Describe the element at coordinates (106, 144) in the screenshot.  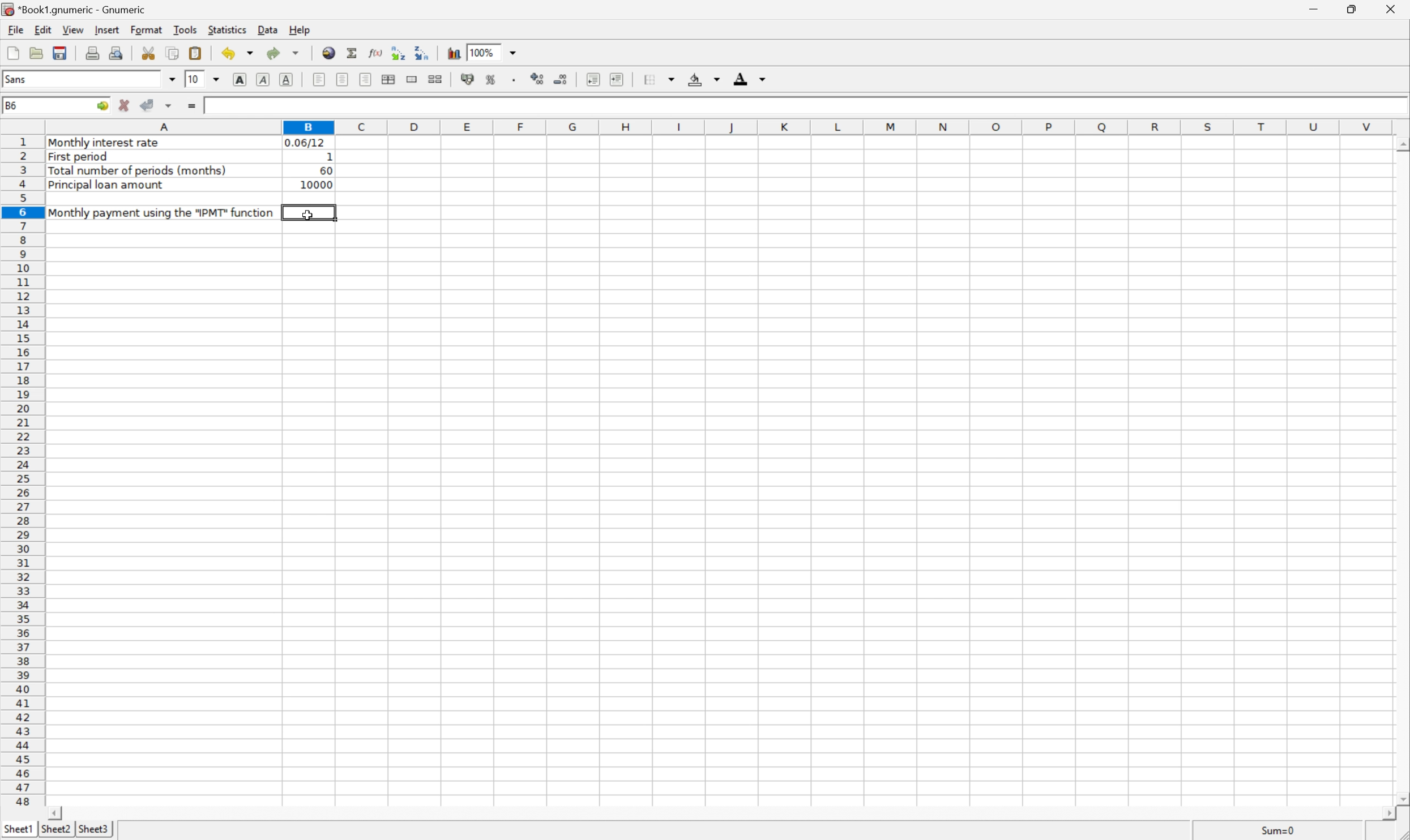
I see `Monthly interest rate` at that location.